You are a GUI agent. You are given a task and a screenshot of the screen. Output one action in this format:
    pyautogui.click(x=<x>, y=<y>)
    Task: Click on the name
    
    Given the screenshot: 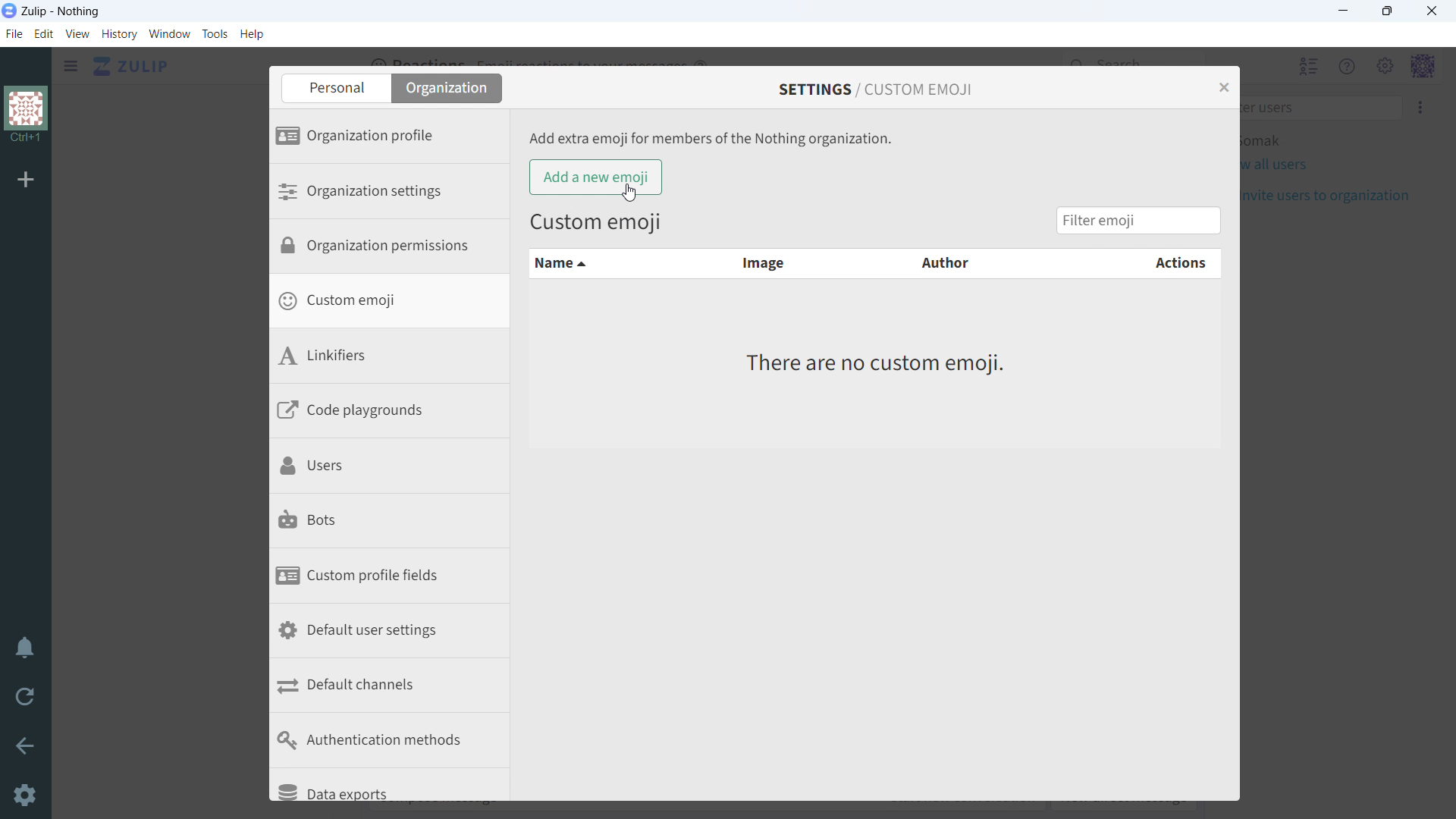 What is the action you would take?
    pyautogui.click(x=605, y=265)
    